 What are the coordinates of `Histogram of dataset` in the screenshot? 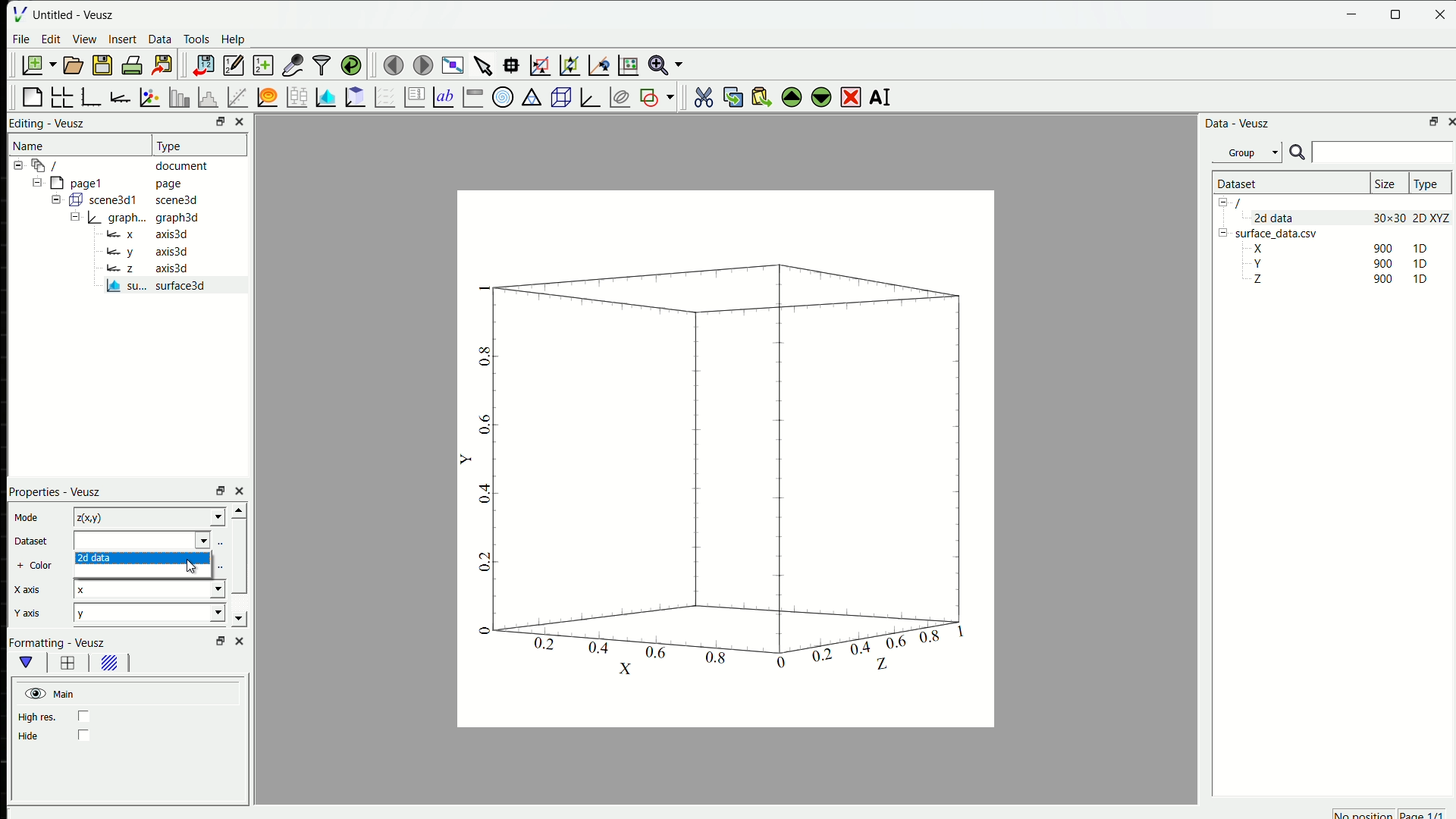 It's located at (209, 96).